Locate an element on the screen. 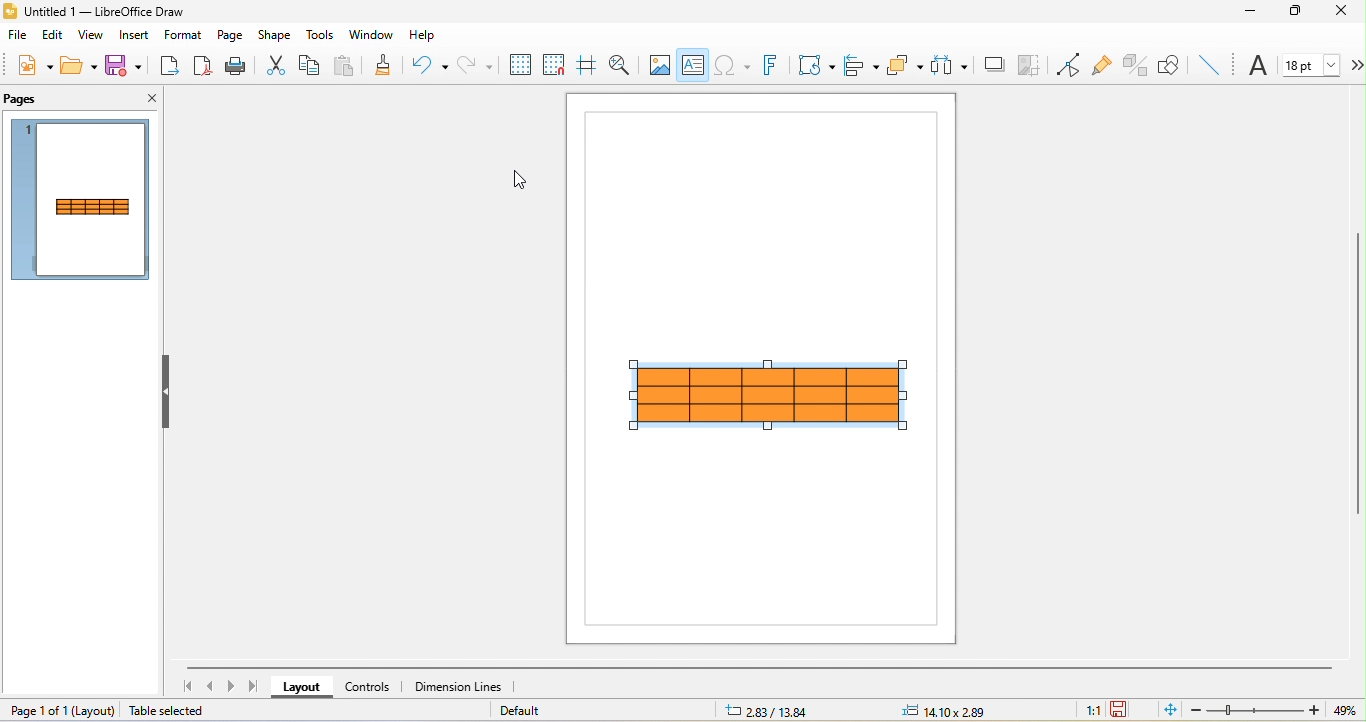  crop image is located at coordinates (1032, 65).